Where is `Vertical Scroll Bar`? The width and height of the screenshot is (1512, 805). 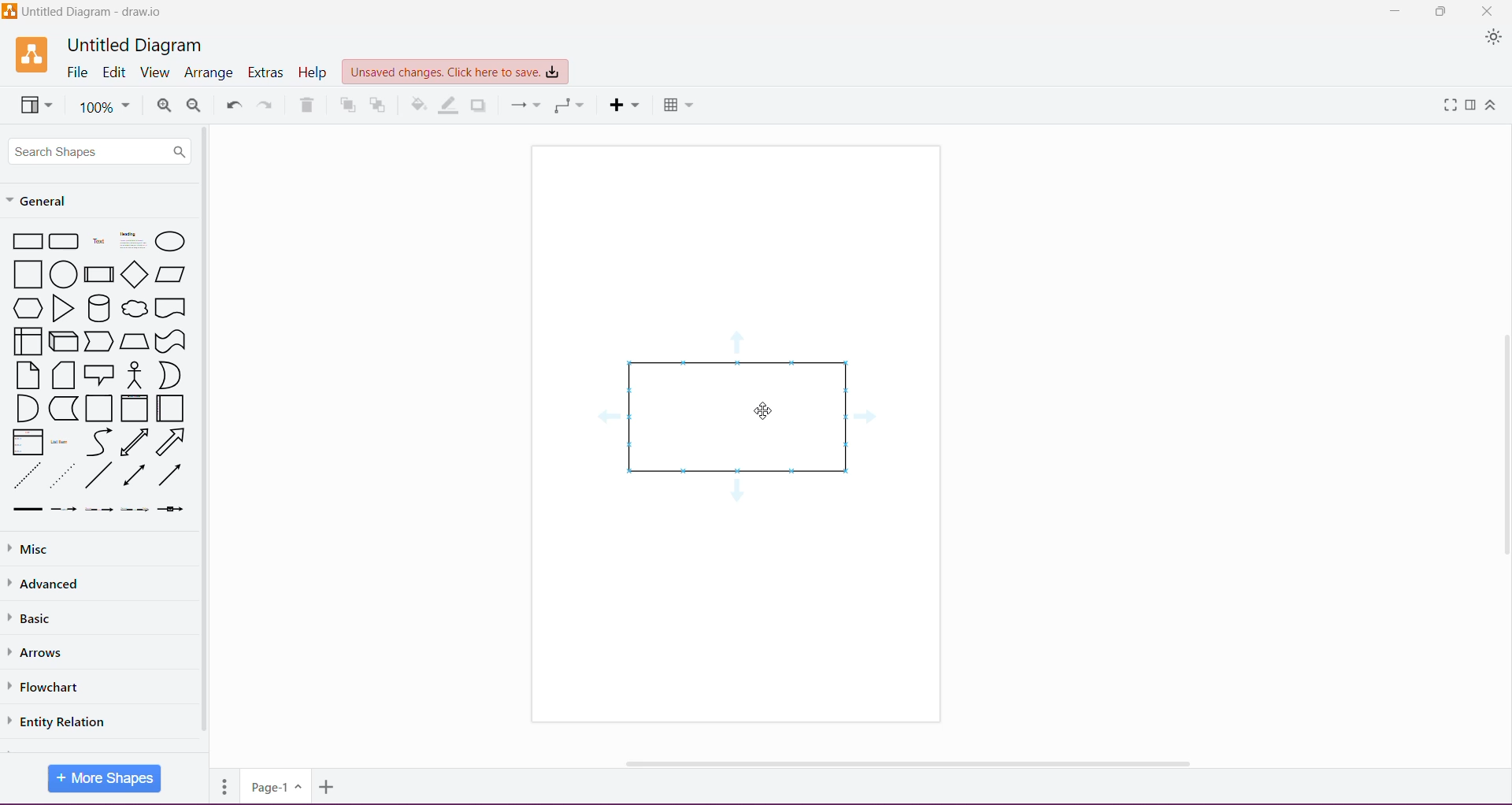
Vertical Scroll Bar is located at coordinates (1503, 440).